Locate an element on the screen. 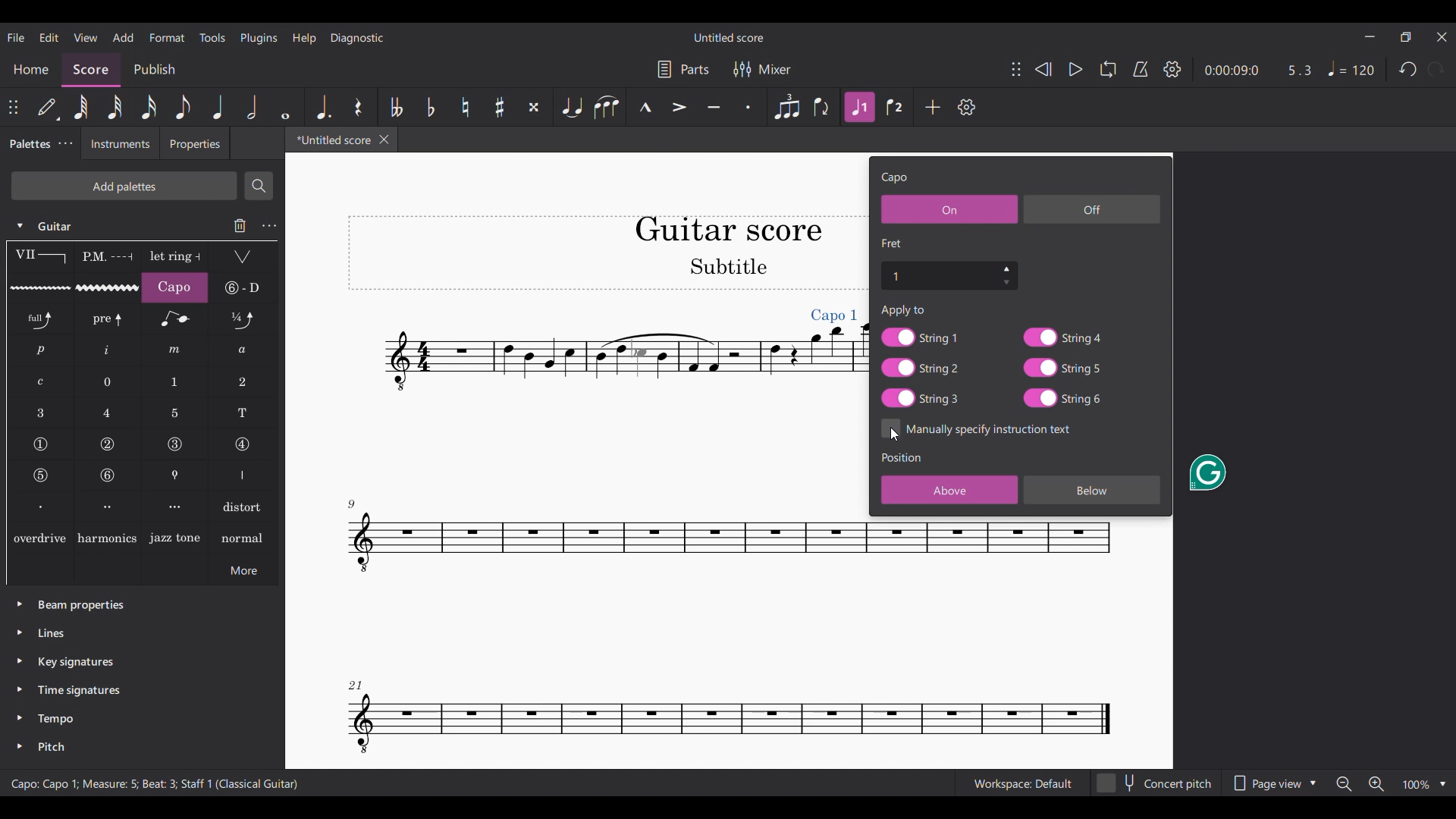 The height and width of the screenshot is (819, 1456). String number 2 is located at coordinates (108, 444).